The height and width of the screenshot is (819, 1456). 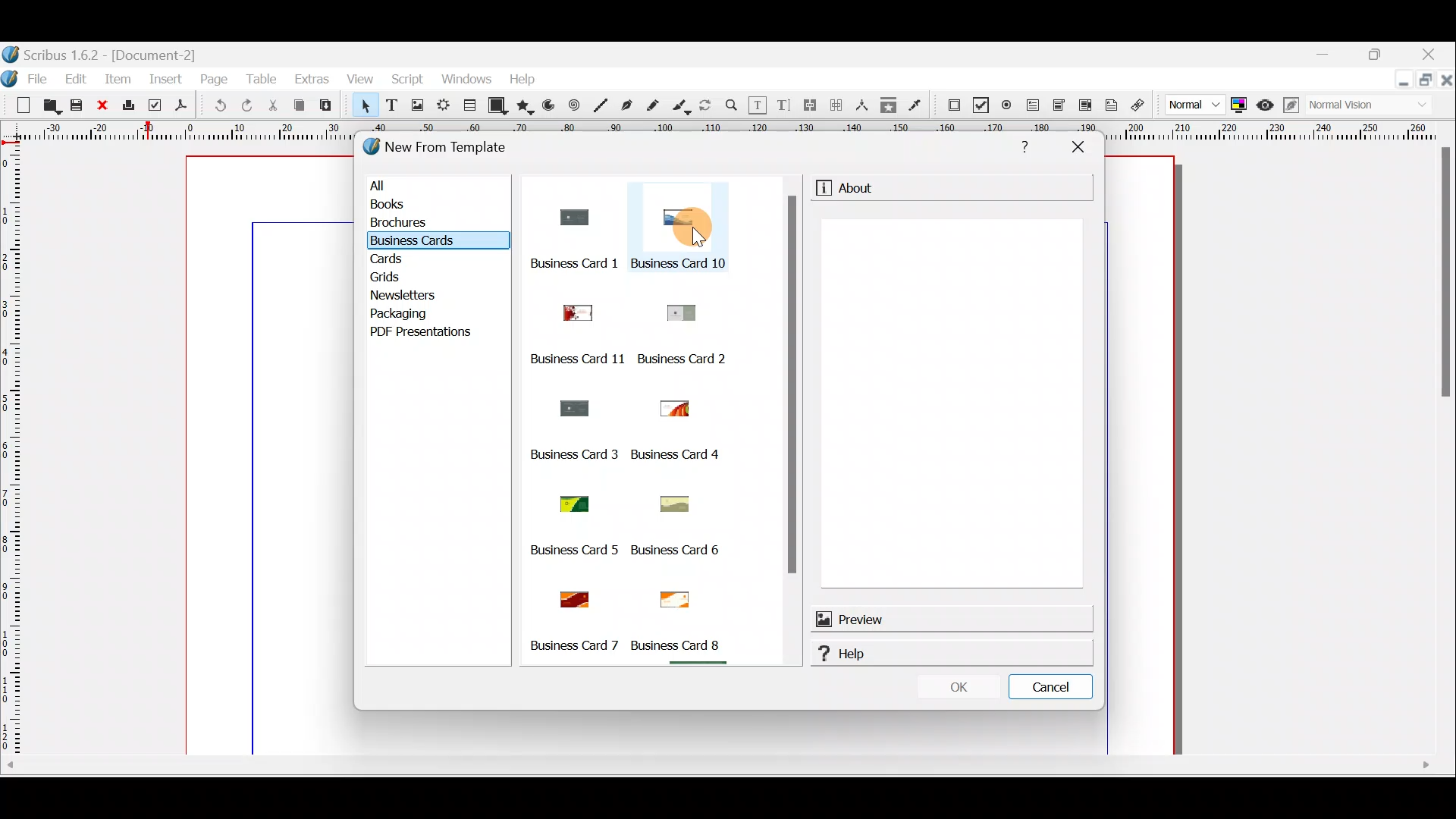 I want to click on Business Card 7, so click(x=573, y=646).